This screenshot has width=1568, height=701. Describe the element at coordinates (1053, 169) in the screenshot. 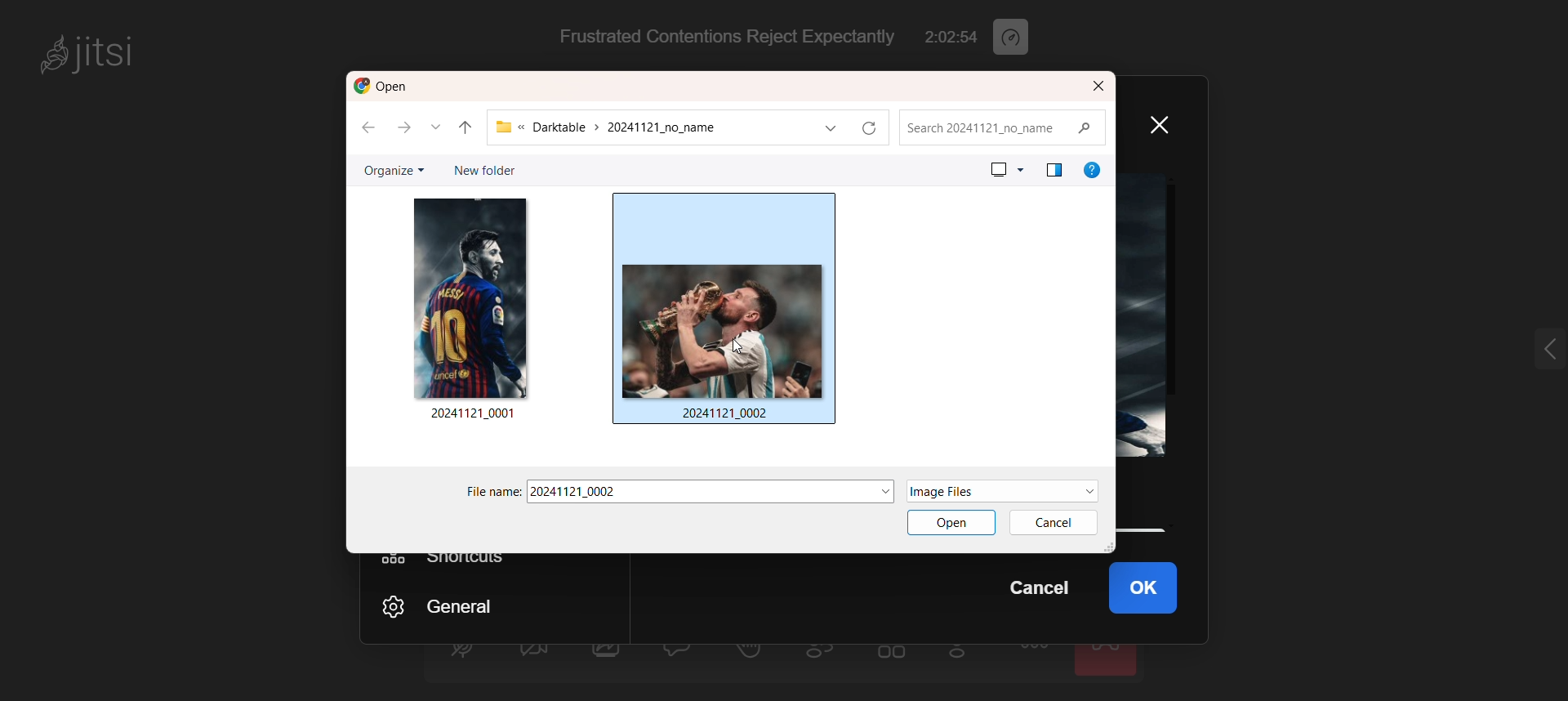

I see `layout` at that location.